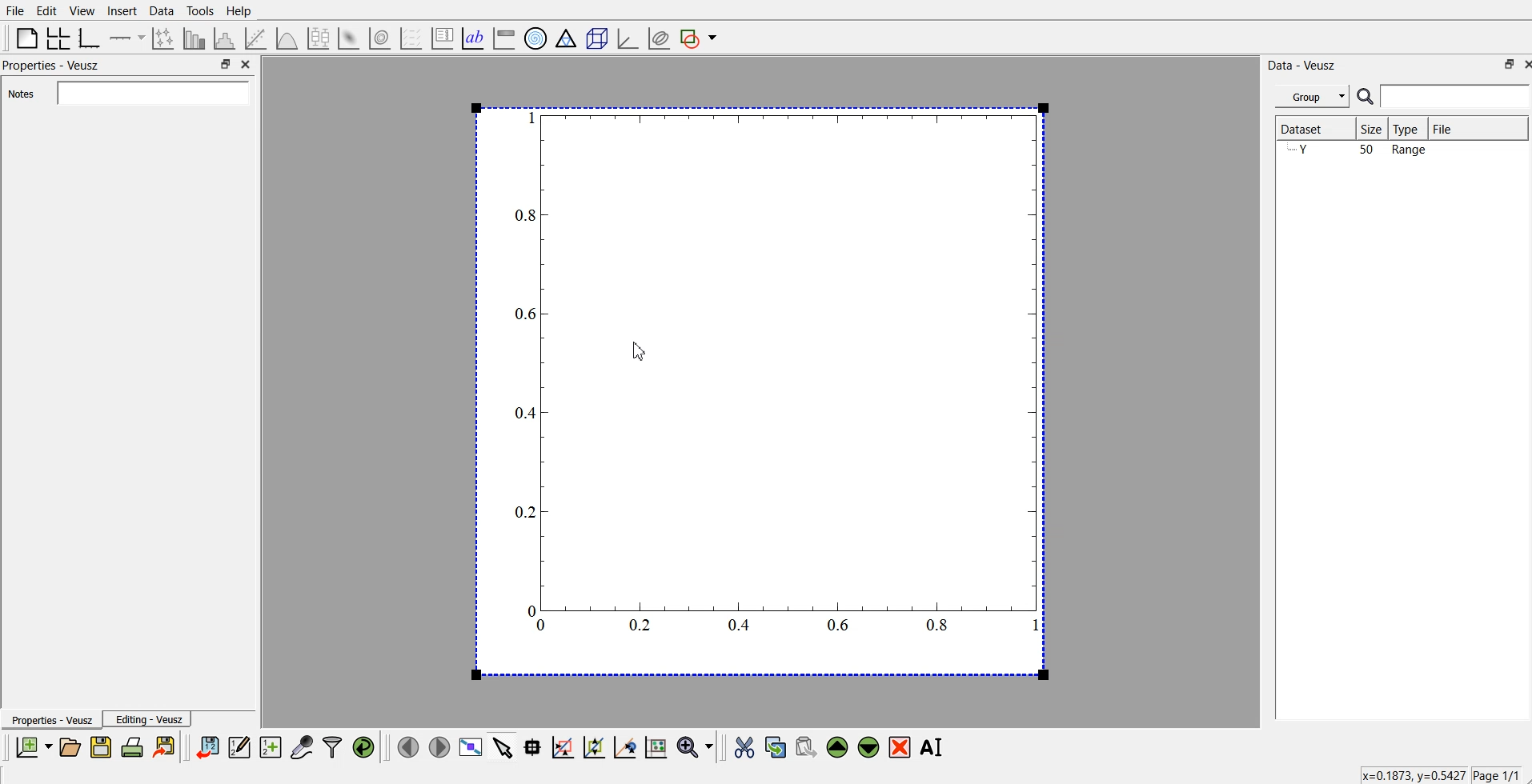 The image size is (1532, 784). What do you see at coordinates (1307, 126) in the screenshot?
I see `Dataset` at bounding box center [1307, 126].